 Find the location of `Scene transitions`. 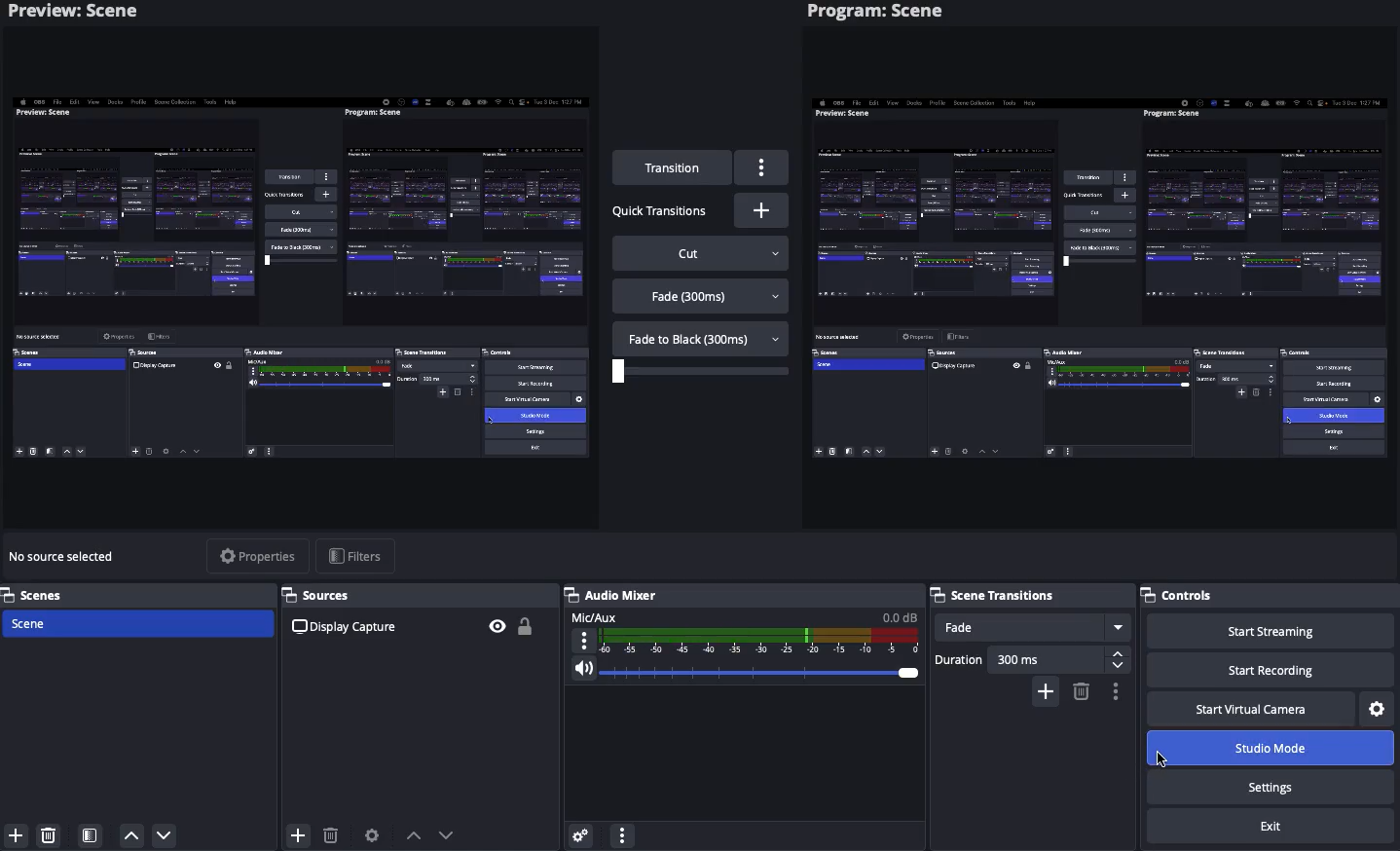

Scene transitions is located at coordinates (1028, 595).